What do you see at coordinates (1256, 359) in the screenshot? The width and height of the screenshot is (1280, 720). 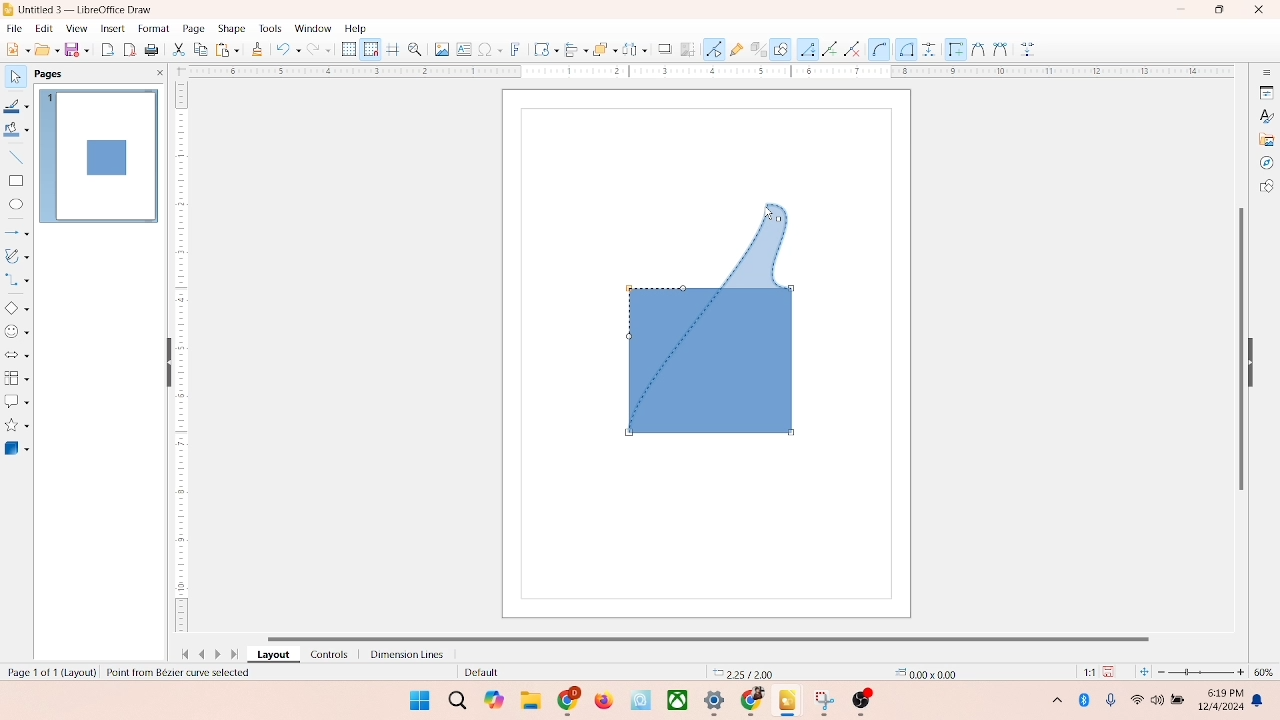 I see `hide` at bounding box center [1256, 359].